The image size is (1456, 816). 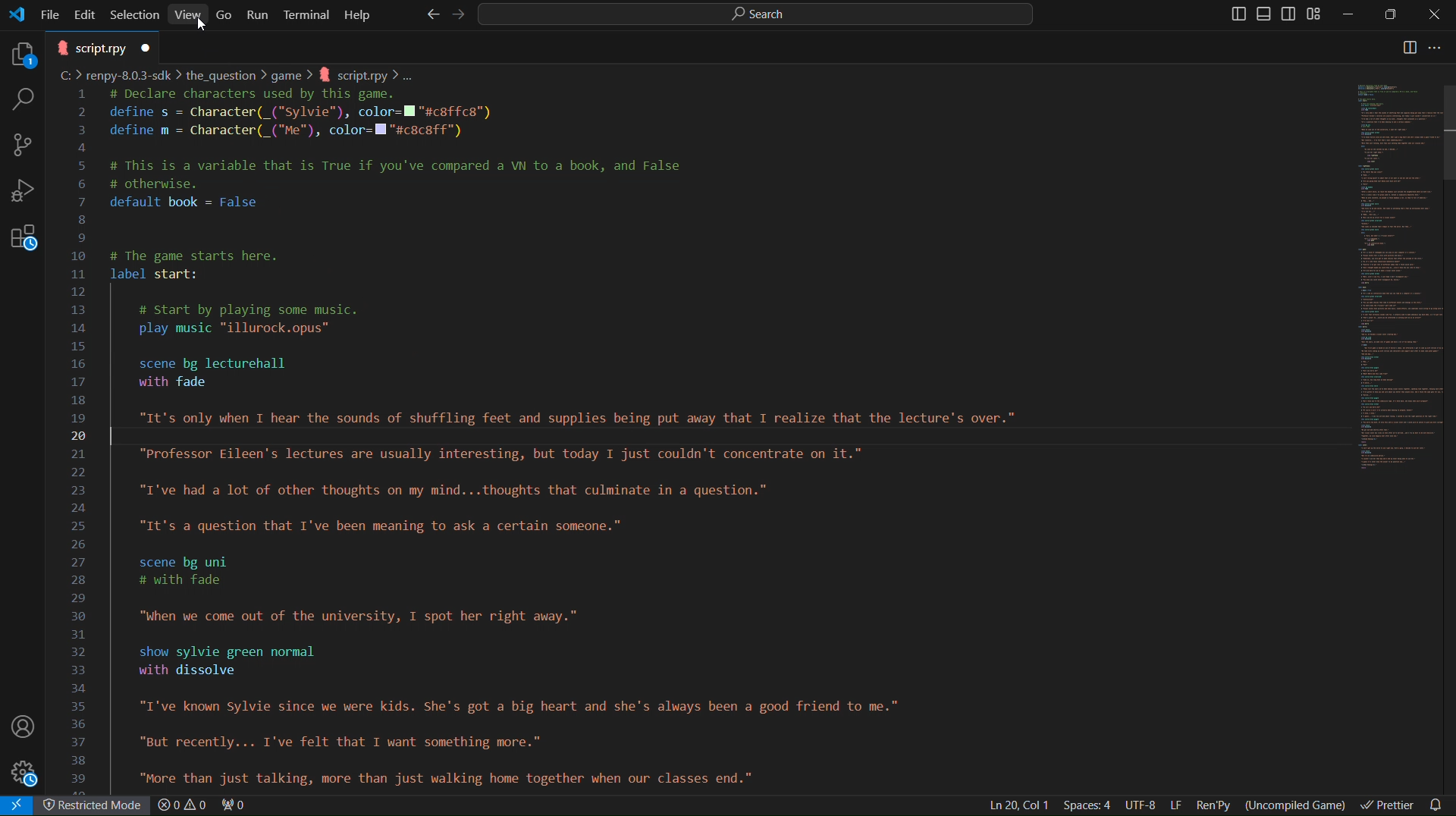 What do you see at coordinates (225, 13) in the screenshot?
I see `Go` at bounding box center [225, 13].